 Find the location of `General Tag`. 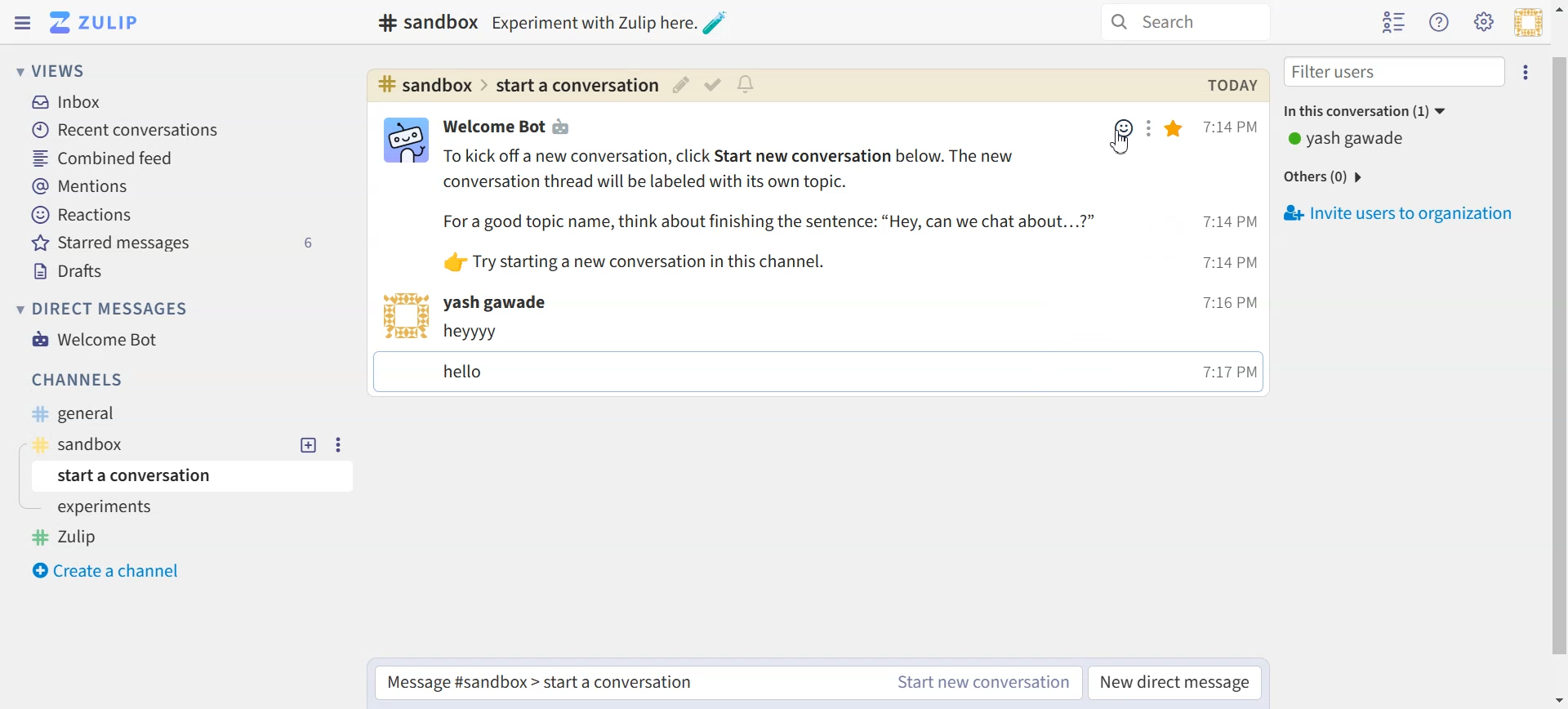

General Tag is located at coordinates (86, 414).